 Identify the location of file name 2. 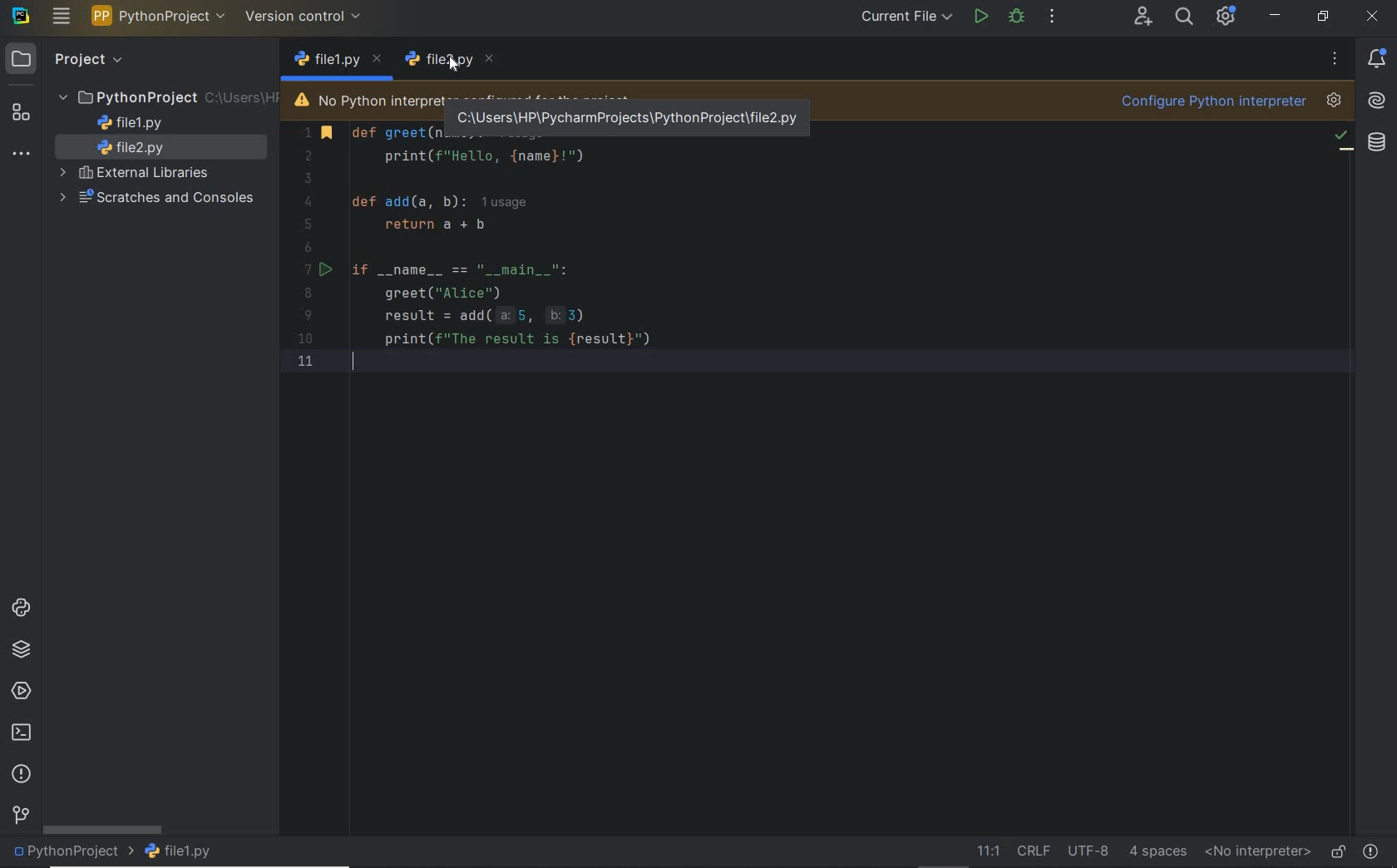
(137, 149).